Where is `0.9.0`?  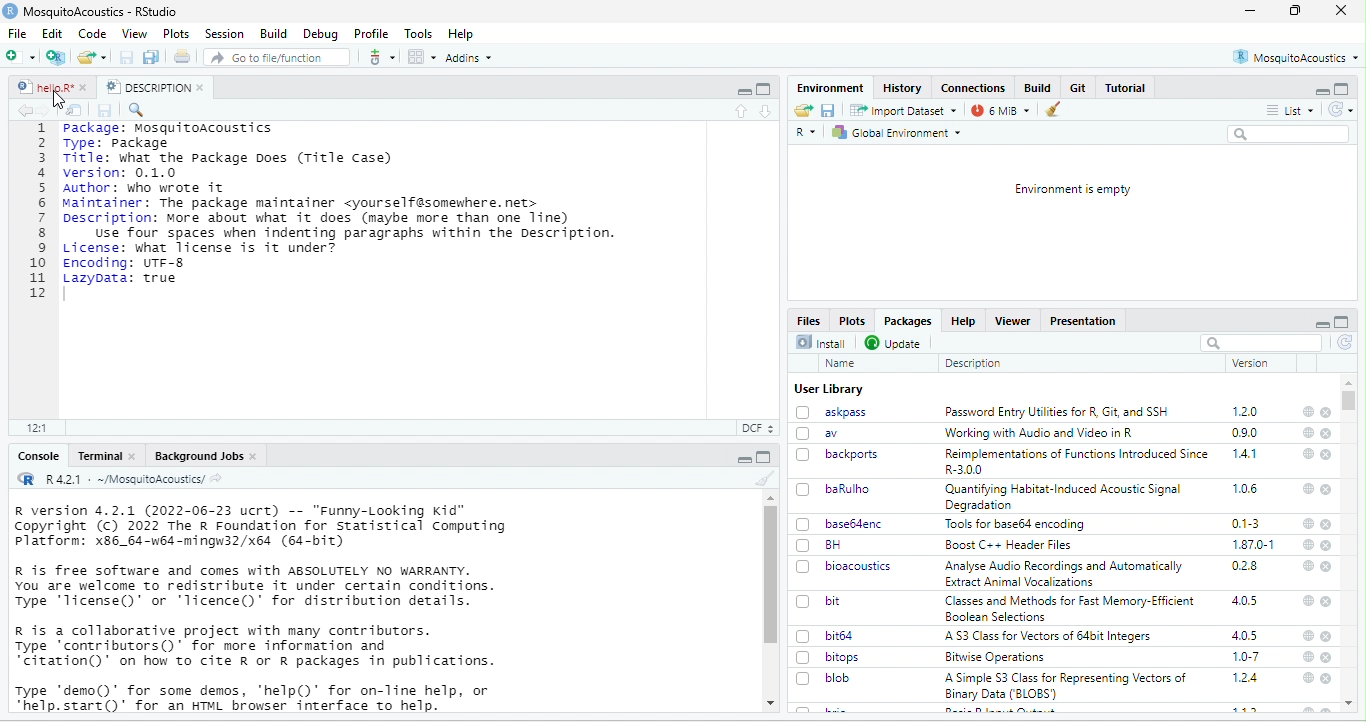 0.9.0 is located at coordinates (1247, 432).